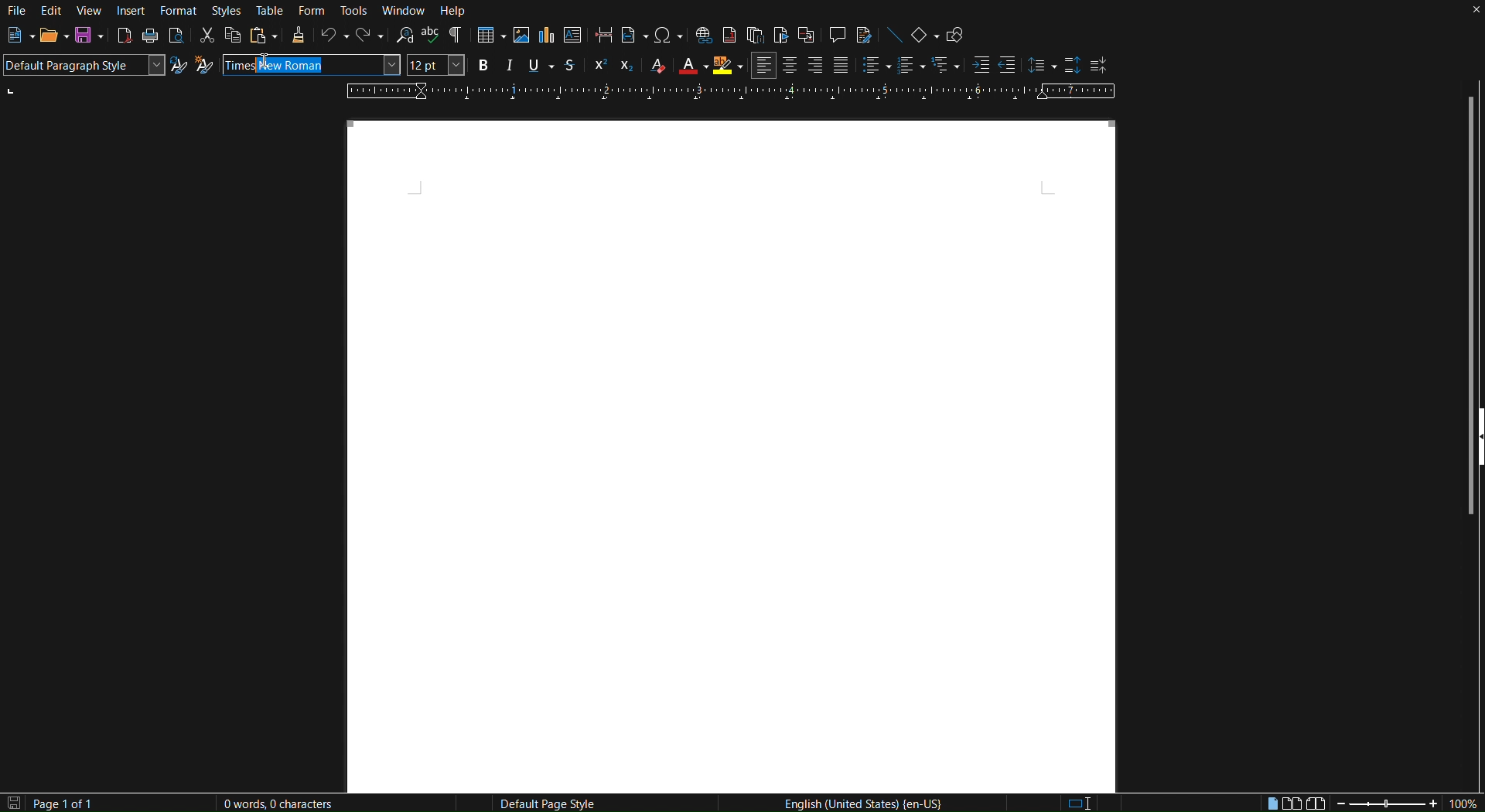 This screenshot has height=812, width=1485. What do you see at coordinates (841, 67) in the screenshot?
I see `Justify` at bounding box center [841, 67].